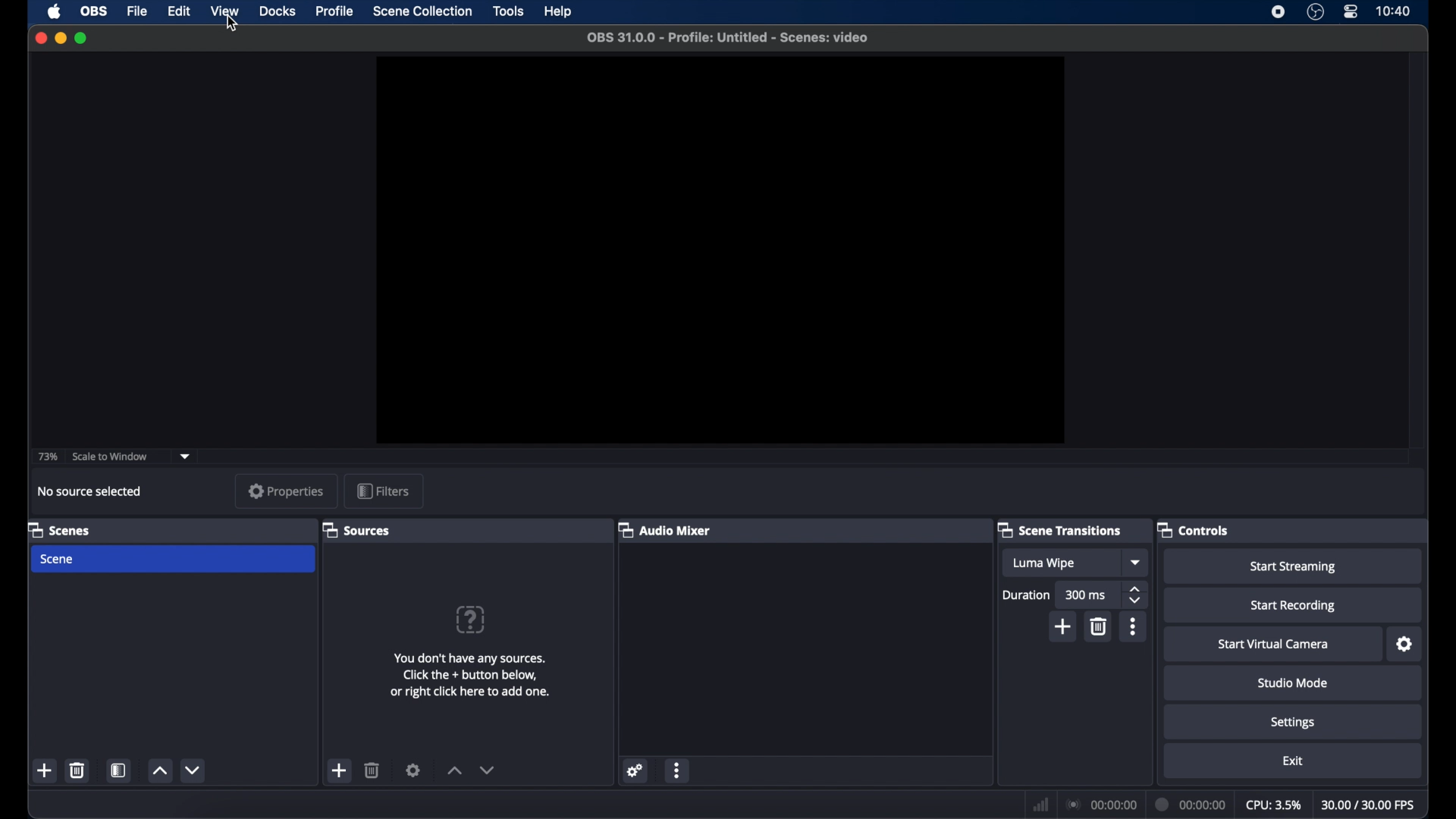 The image size is (1456, 819). I want to click on luma wipe, so click(1043, 563).